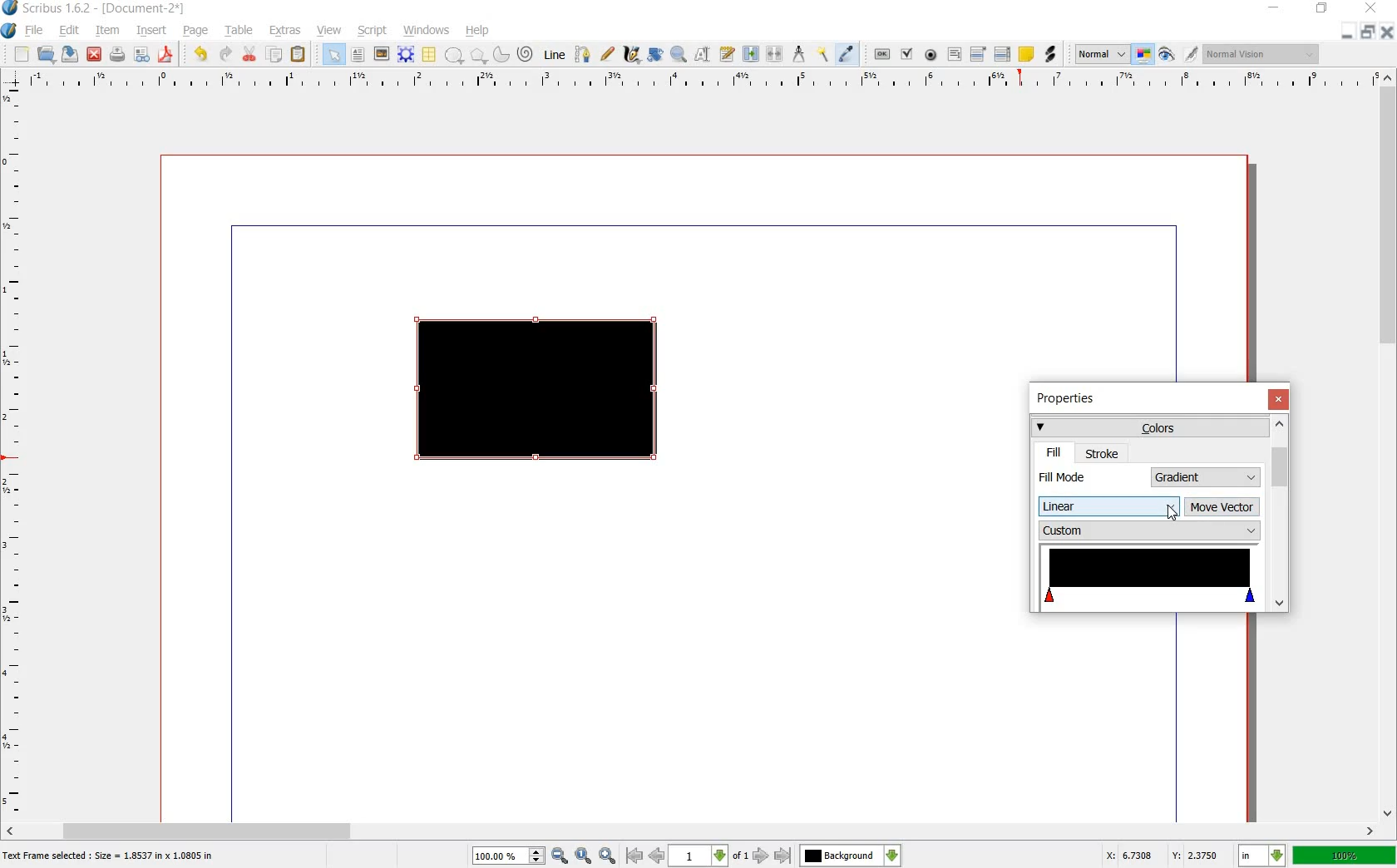 The image size is (1397, 868). What do you see at coordinates (96, 54) in the screenshot?
I see `close` at bounding box center [96, 54].